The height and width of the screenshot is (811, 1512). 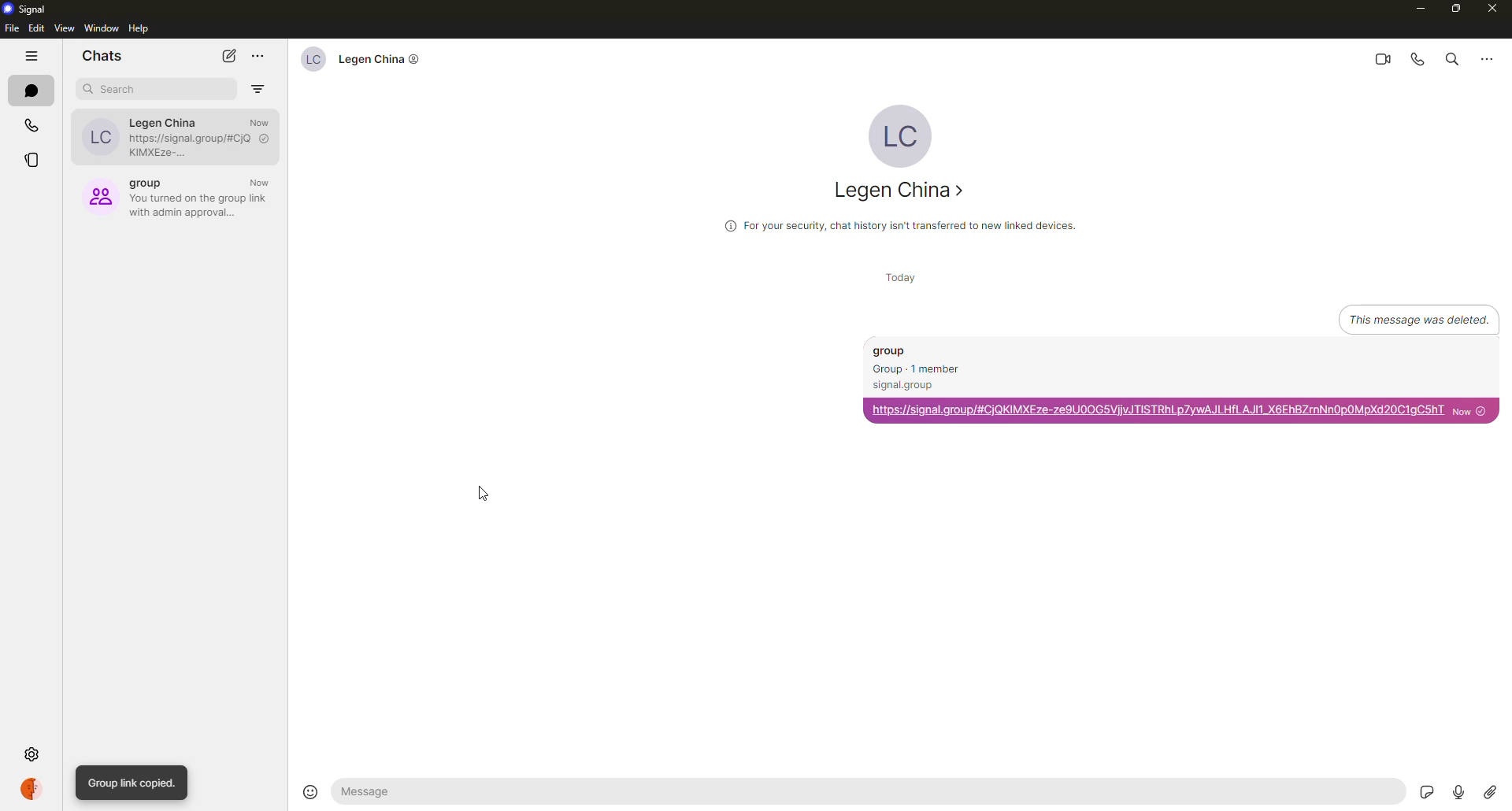 What do you see at coordinates (34, 788) in the screenshot?
I see `profile` at bounding box center [34, 788].